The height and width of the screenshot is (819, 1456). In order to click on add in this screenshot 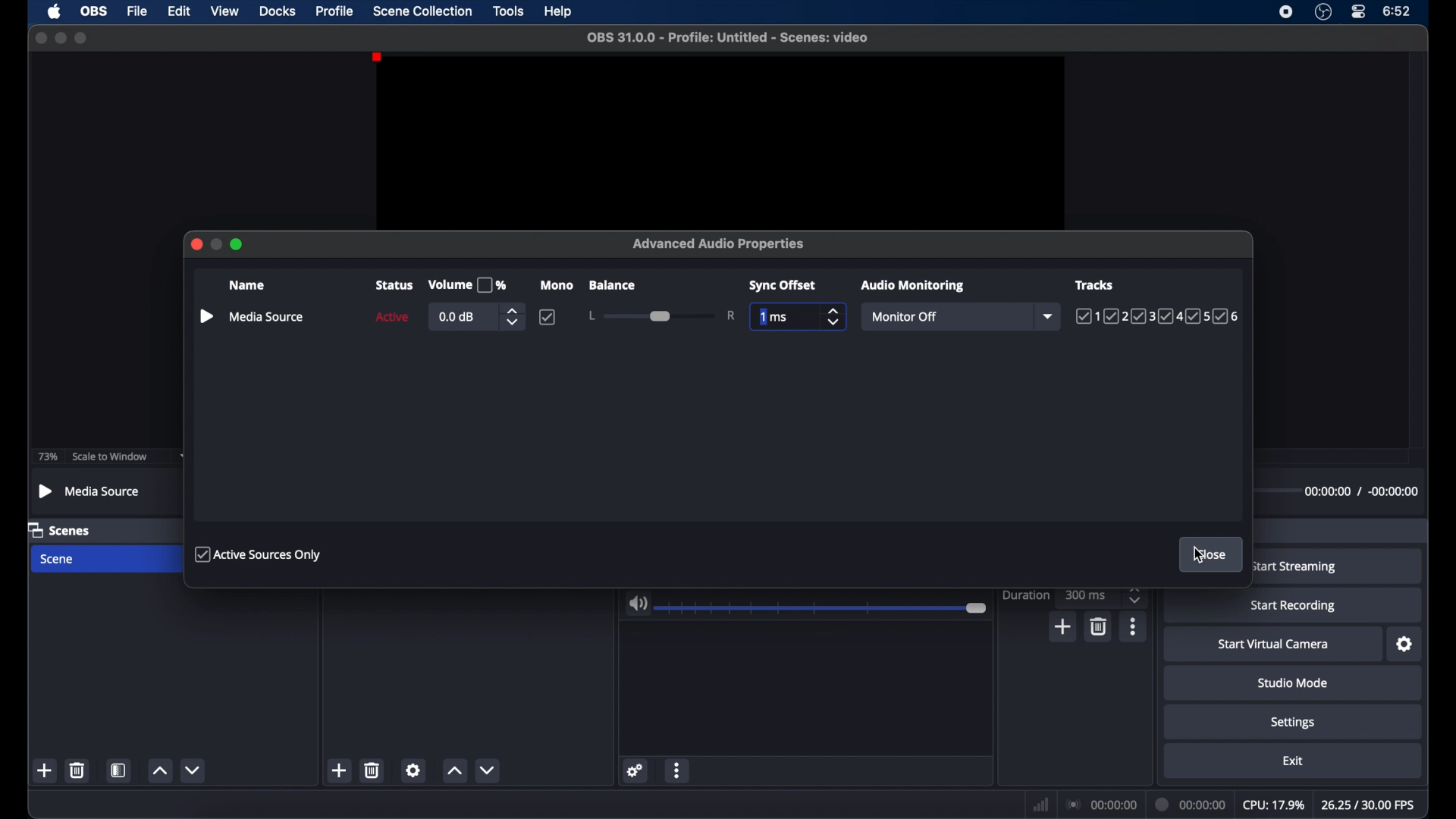, I will do `click(340, 770)`.